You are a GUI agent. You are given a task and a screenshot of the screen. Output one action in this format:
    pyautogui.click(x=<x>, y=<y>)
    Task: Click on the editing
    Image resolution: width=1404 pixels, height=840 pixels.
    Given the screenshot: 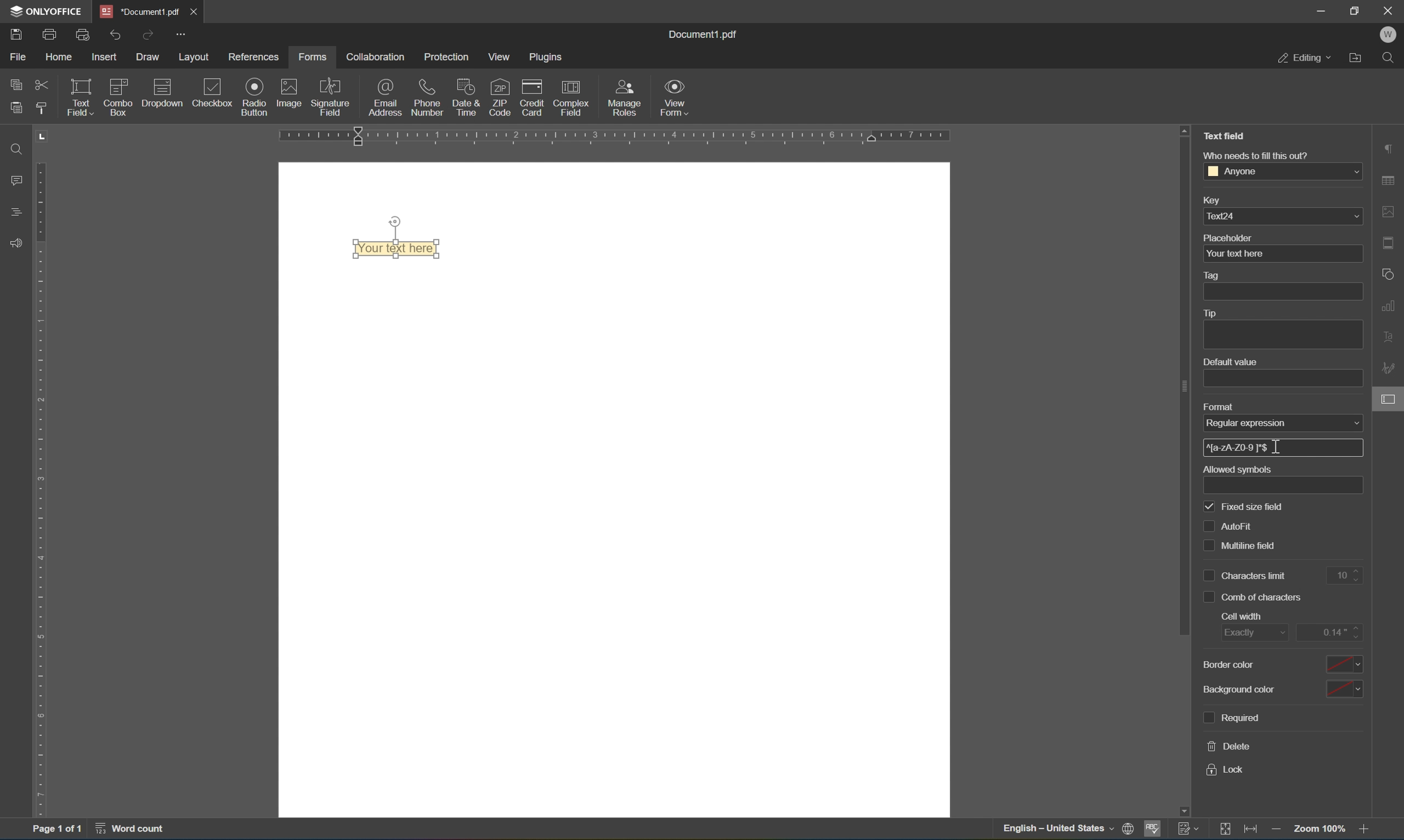 What is the action you would take?
    pyautogui.click(x=1304, y=57)
    